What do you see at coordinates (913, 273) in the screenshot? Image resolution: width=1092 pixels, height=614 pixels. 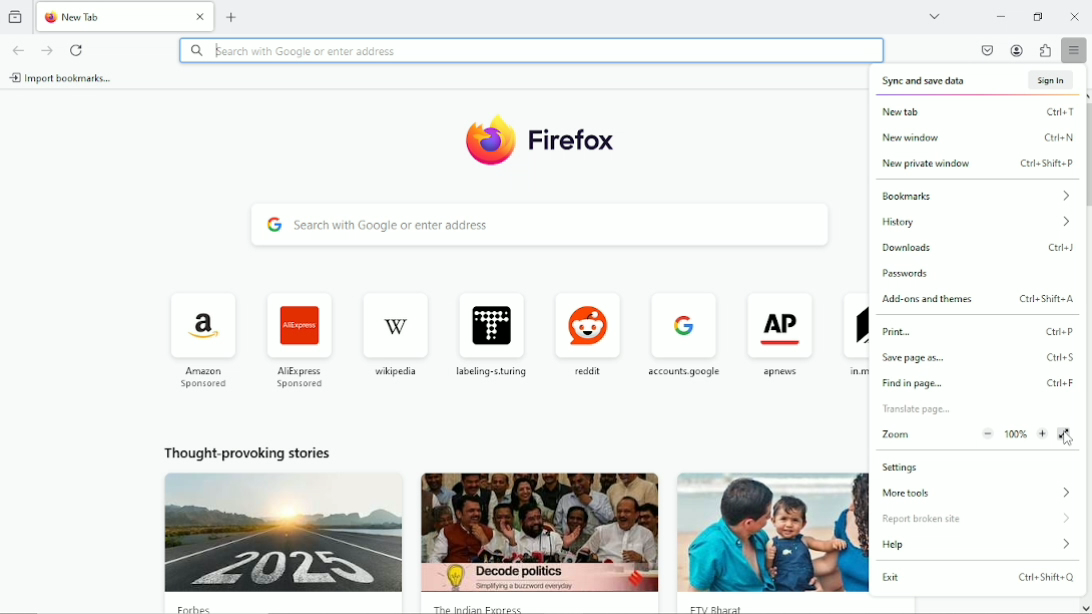 I see `passwords` at bounding box center [913, 273].